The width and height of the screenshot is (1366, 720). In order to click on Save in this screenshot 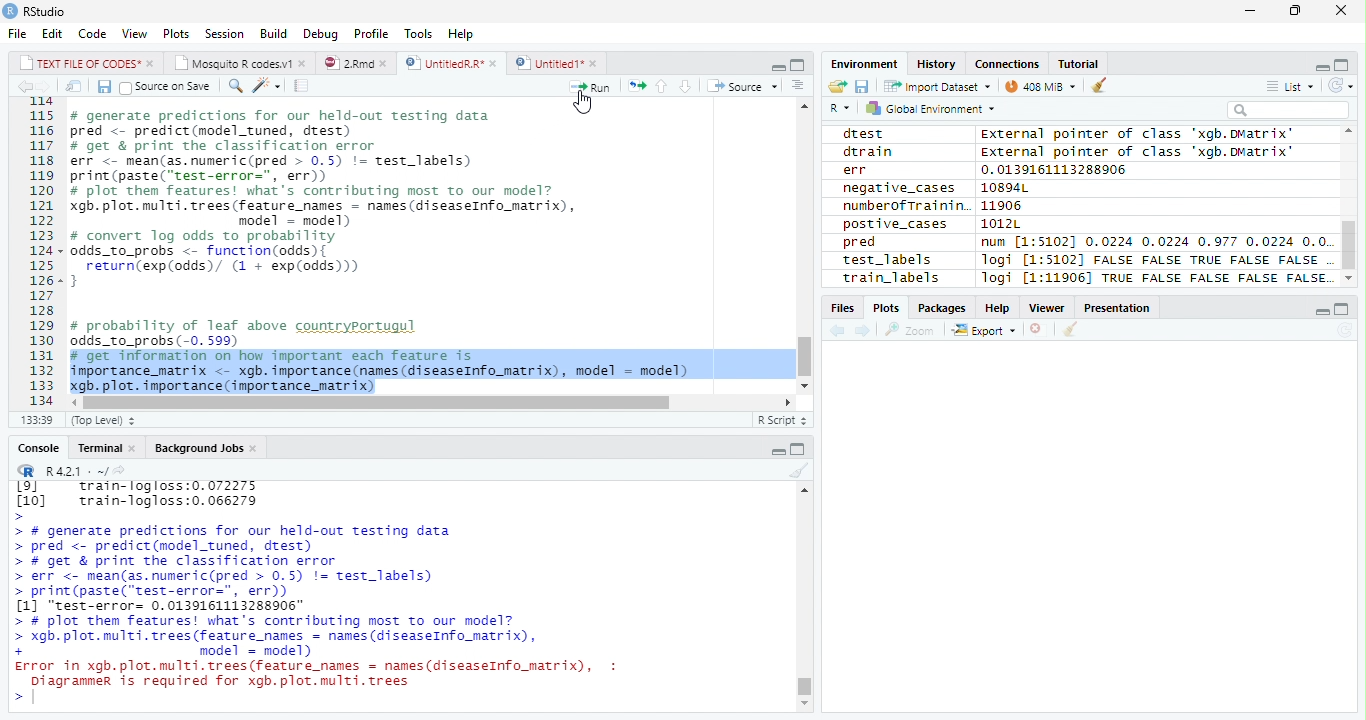, I will do `click(863, 85)`.